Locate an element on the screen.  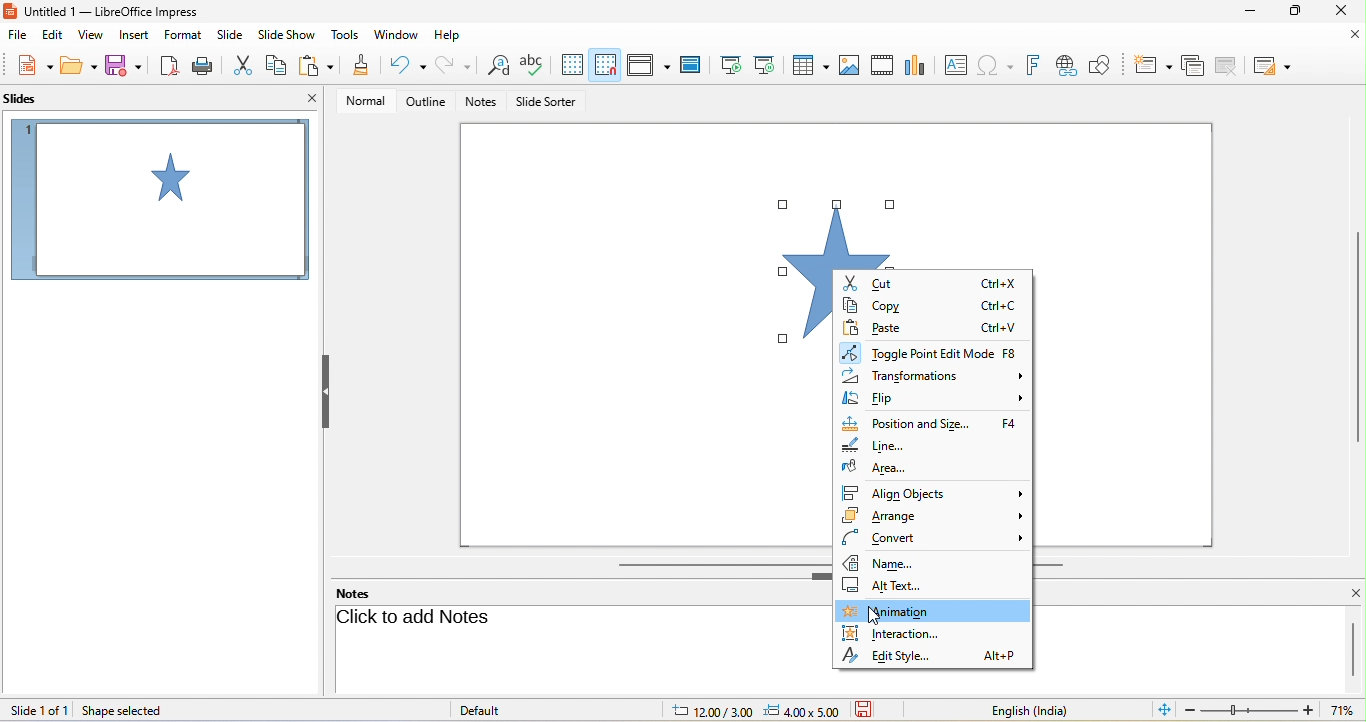
alt text is located at coordinates (897, 586).